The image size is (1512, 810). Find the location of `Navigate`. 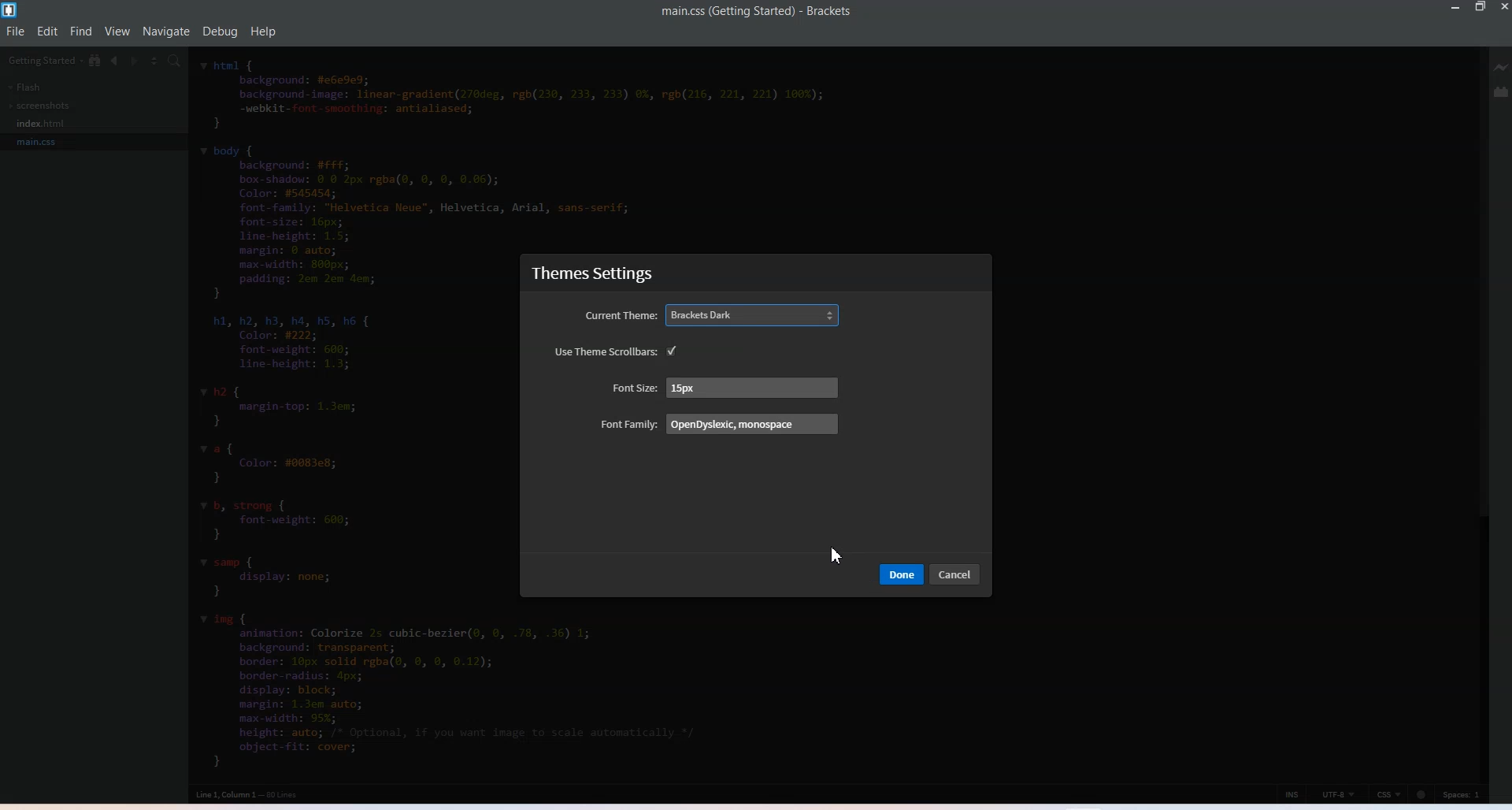

Navigate is located at coordinates (167, 32).